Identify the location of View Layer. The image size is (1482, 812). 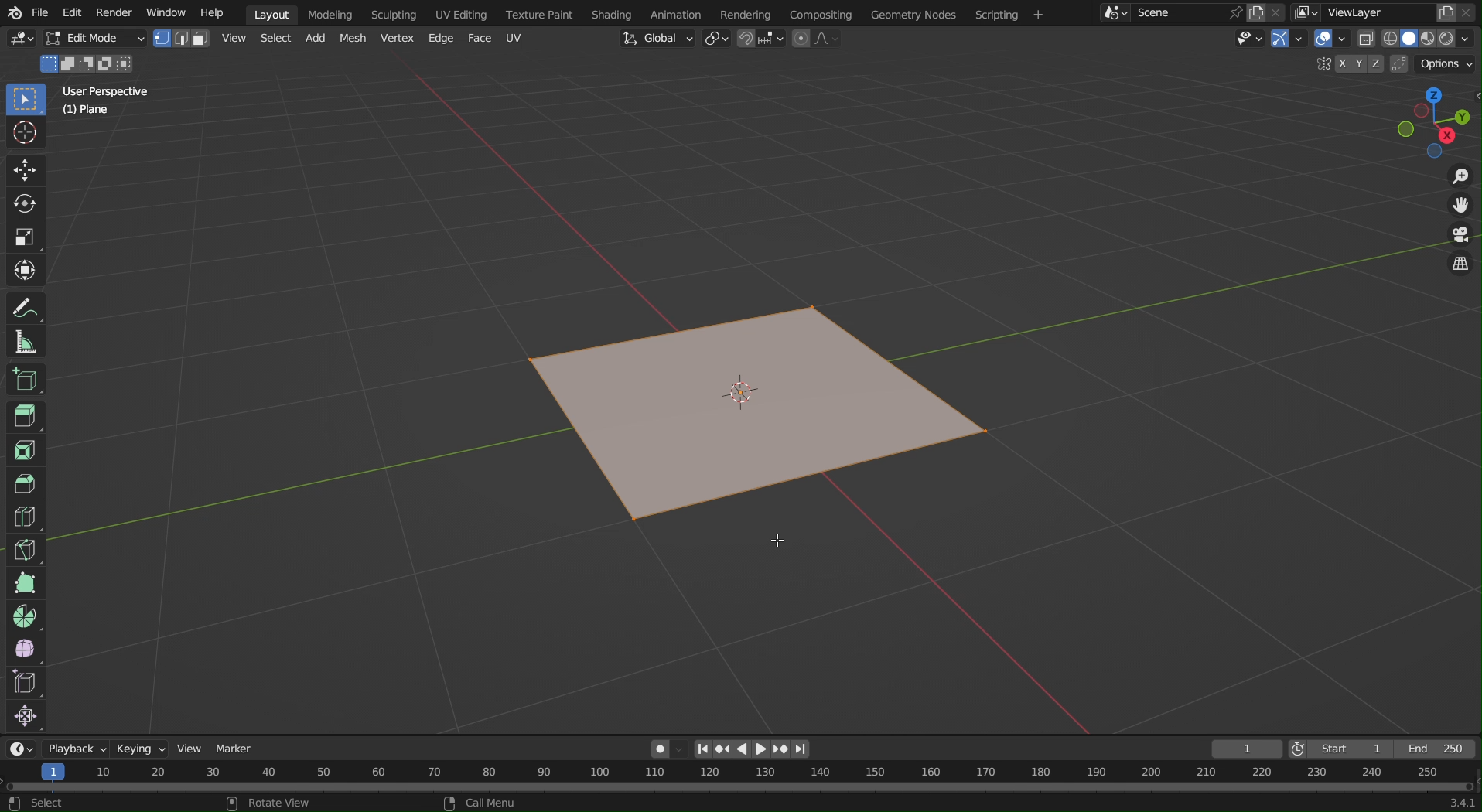
(1361, 12).